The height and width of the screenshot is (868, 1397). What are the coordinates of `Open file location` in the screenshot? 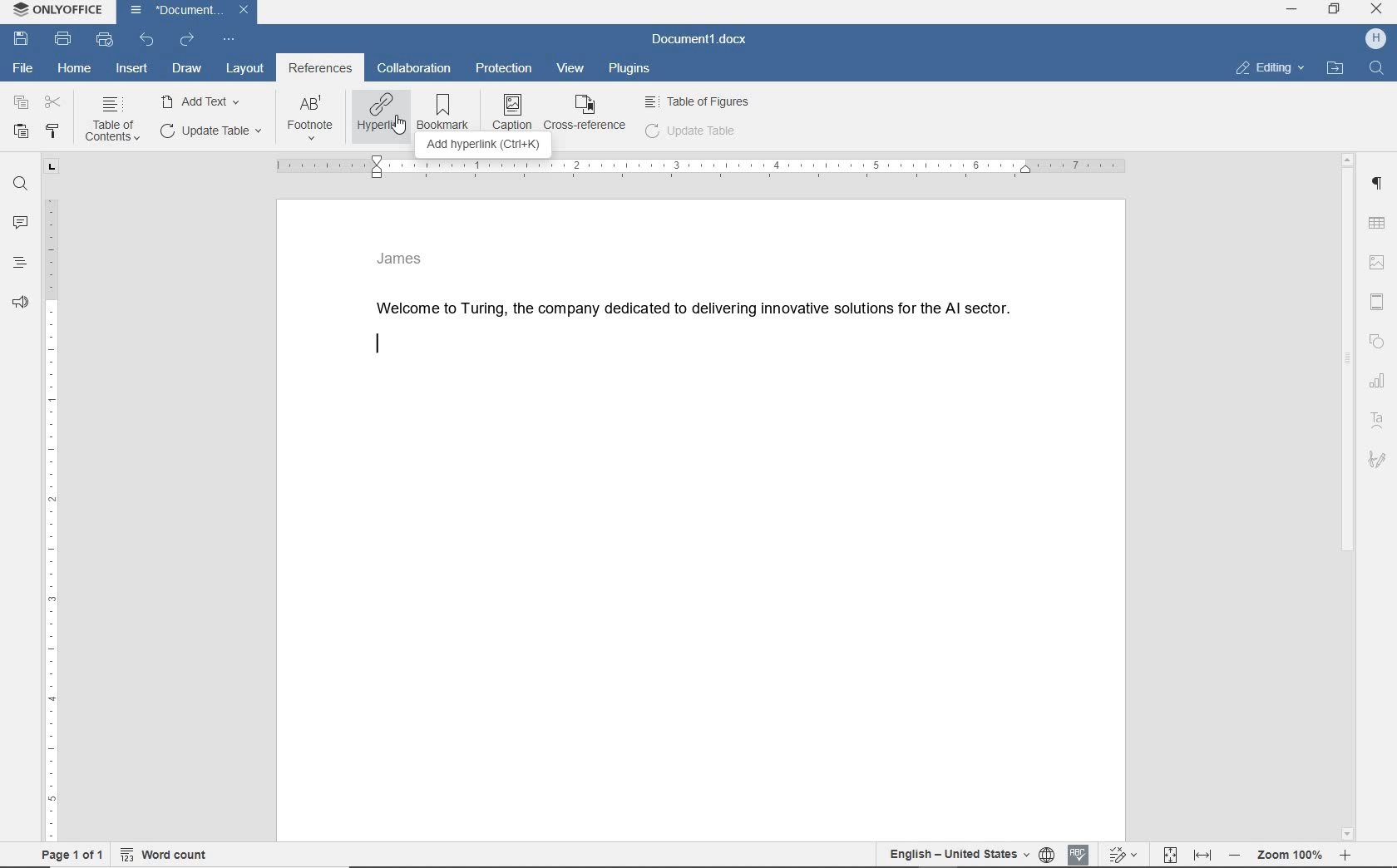 It's located at (1340, 65).